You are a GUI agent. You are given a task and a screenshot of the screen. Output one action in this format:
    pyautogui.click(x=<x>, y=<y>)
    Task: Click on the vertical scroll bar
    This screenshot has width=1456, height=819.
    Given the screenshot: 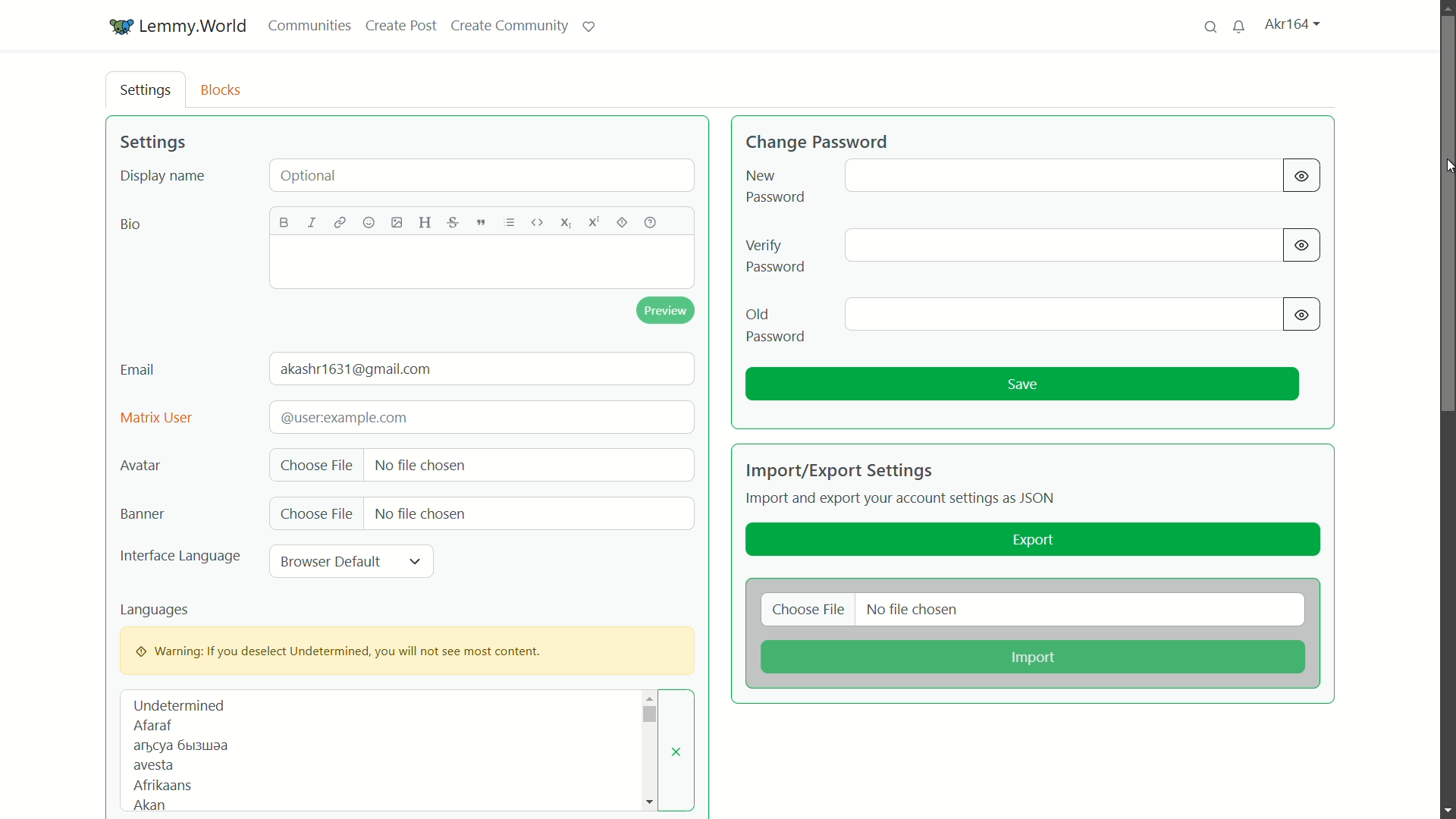 What is the action you would take?
    pyautogui.click(x=1442, y=124)
    